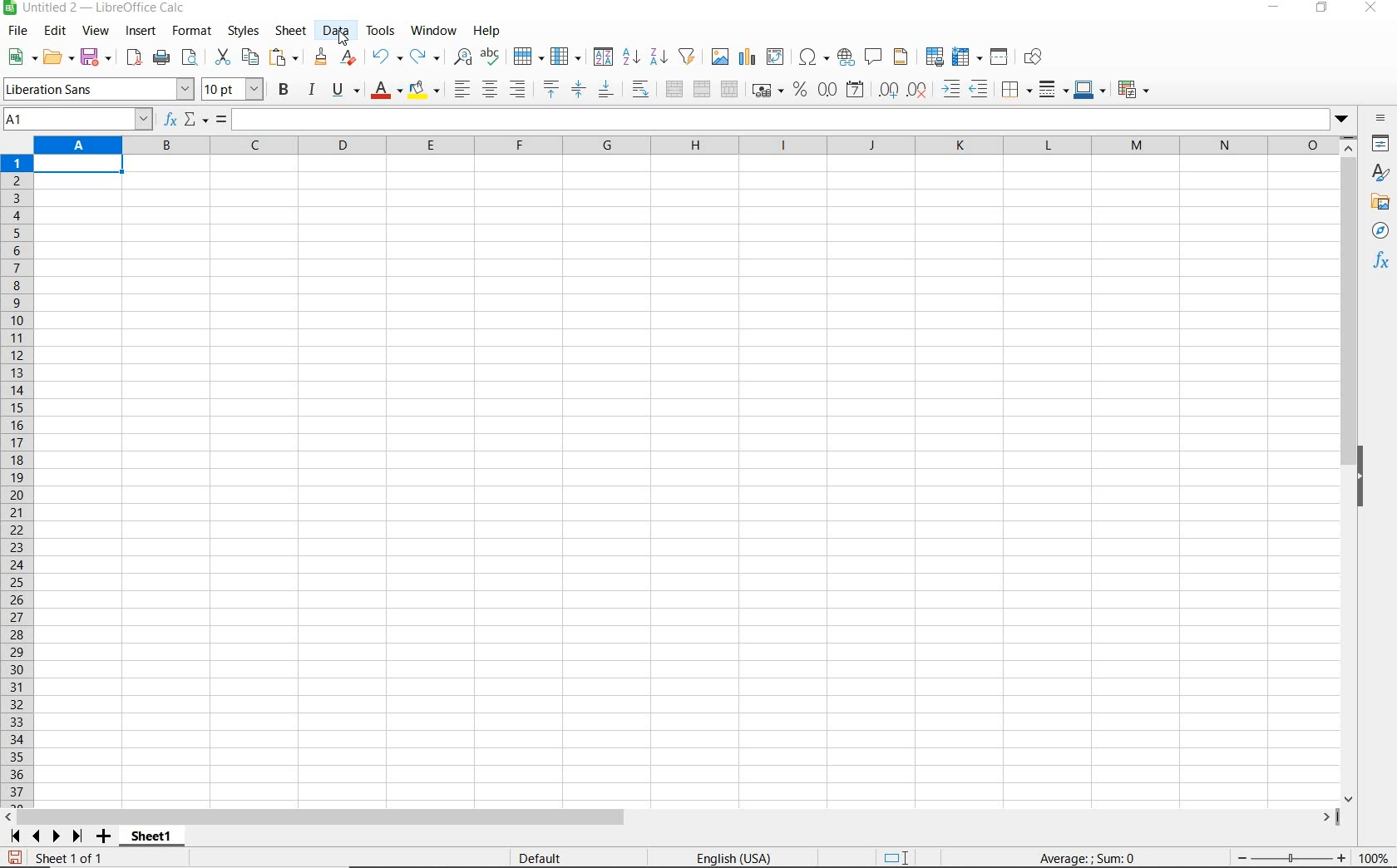 This screenshot has height=868, width=1397. I want to click on formula, so click(1088, 857).